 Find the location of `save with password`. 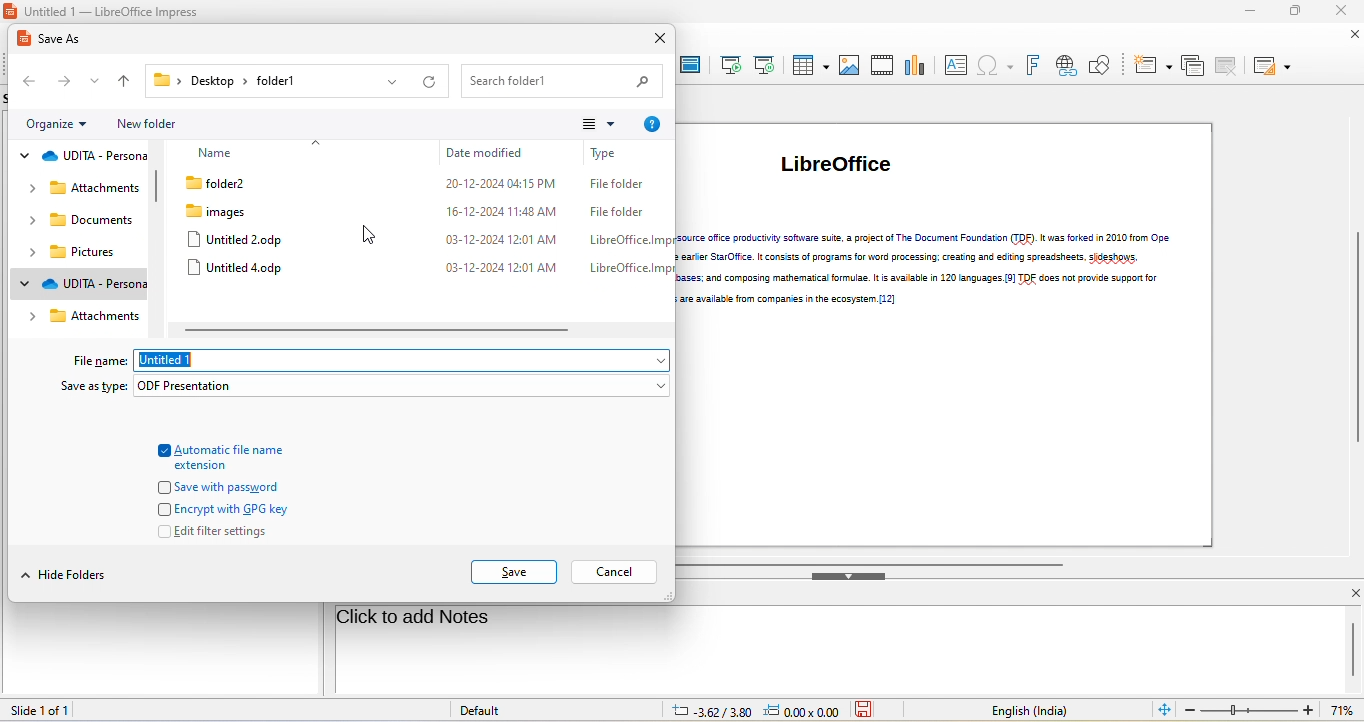

save with password is located at coordinates (220, 486).